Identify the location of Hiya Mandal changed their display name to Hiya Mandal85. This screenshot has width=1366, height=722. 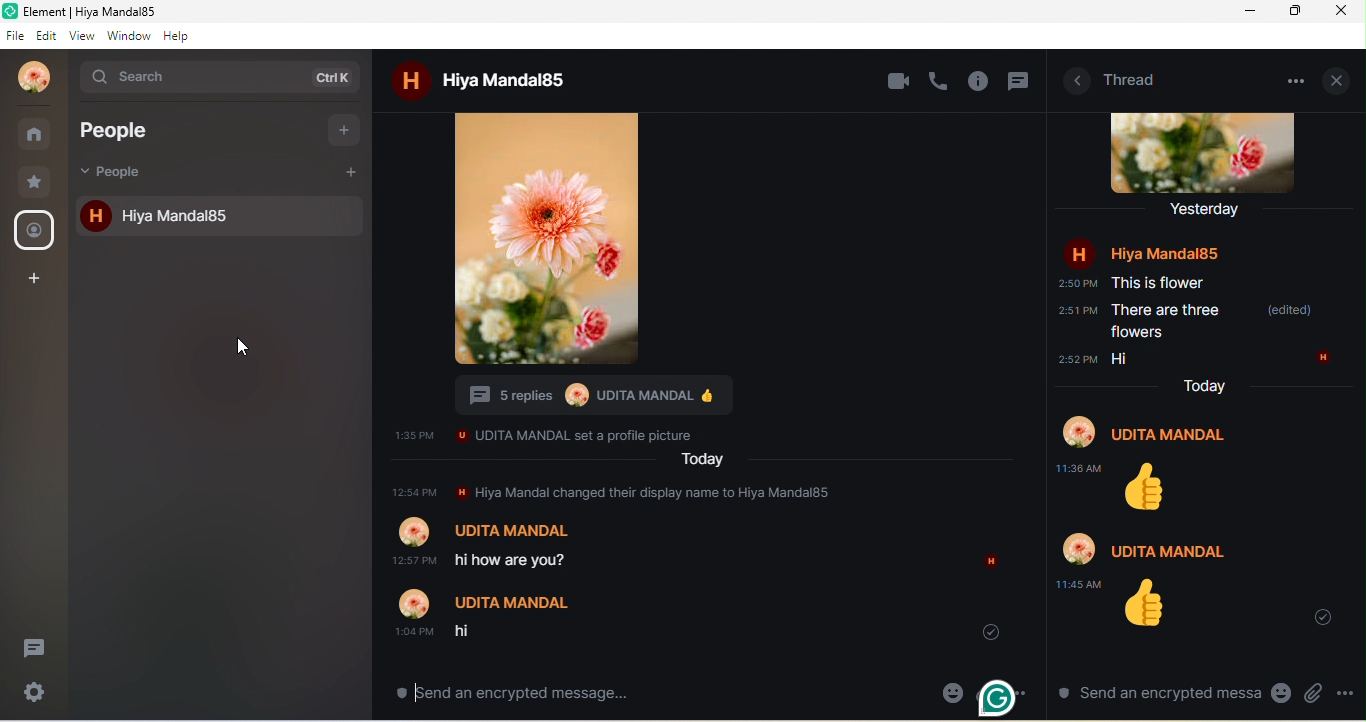
(656, 492).